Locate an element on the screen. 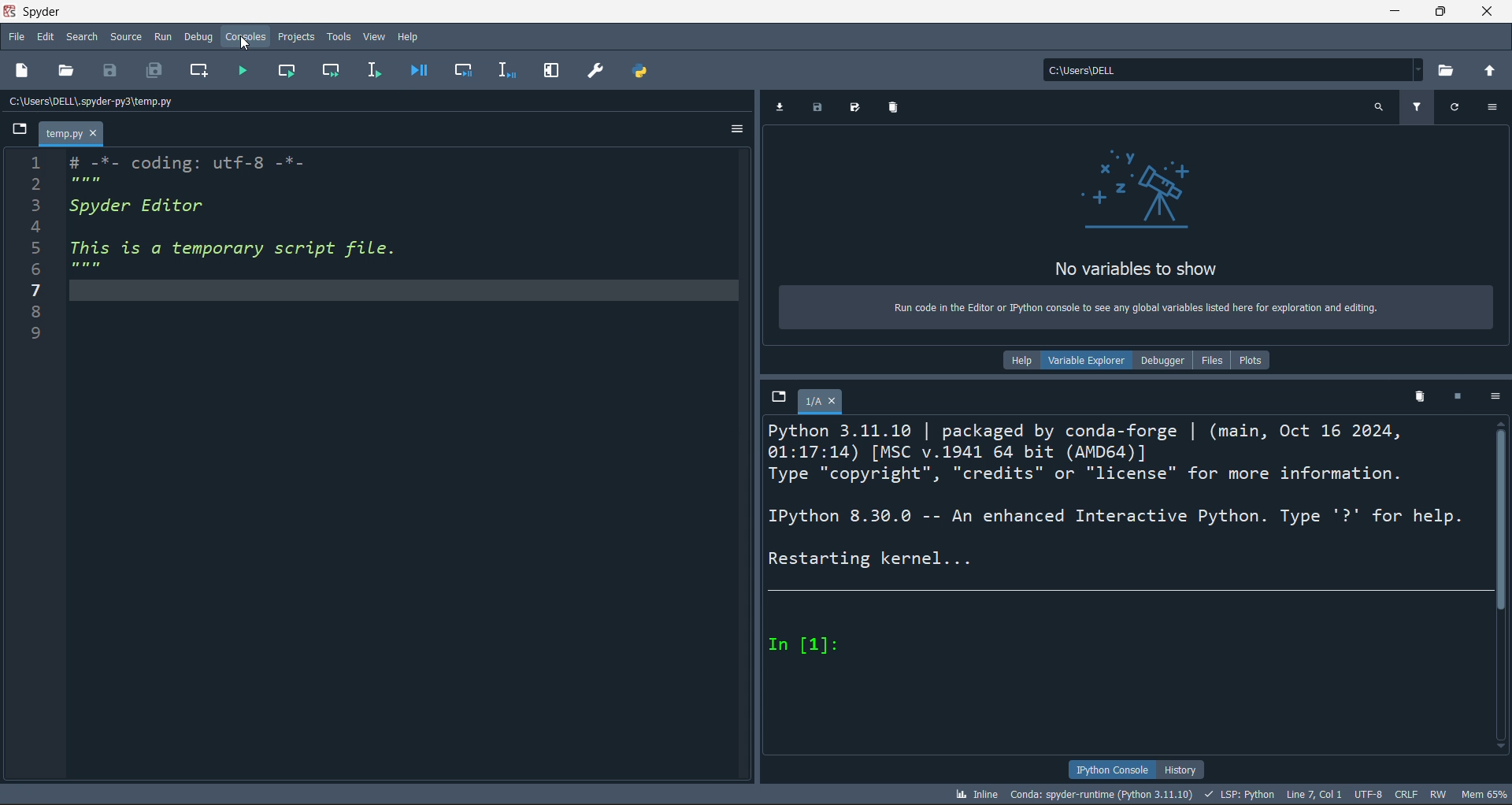 This screenshot has width=1512, height=805. preferences is located at coordinates (598, 72).